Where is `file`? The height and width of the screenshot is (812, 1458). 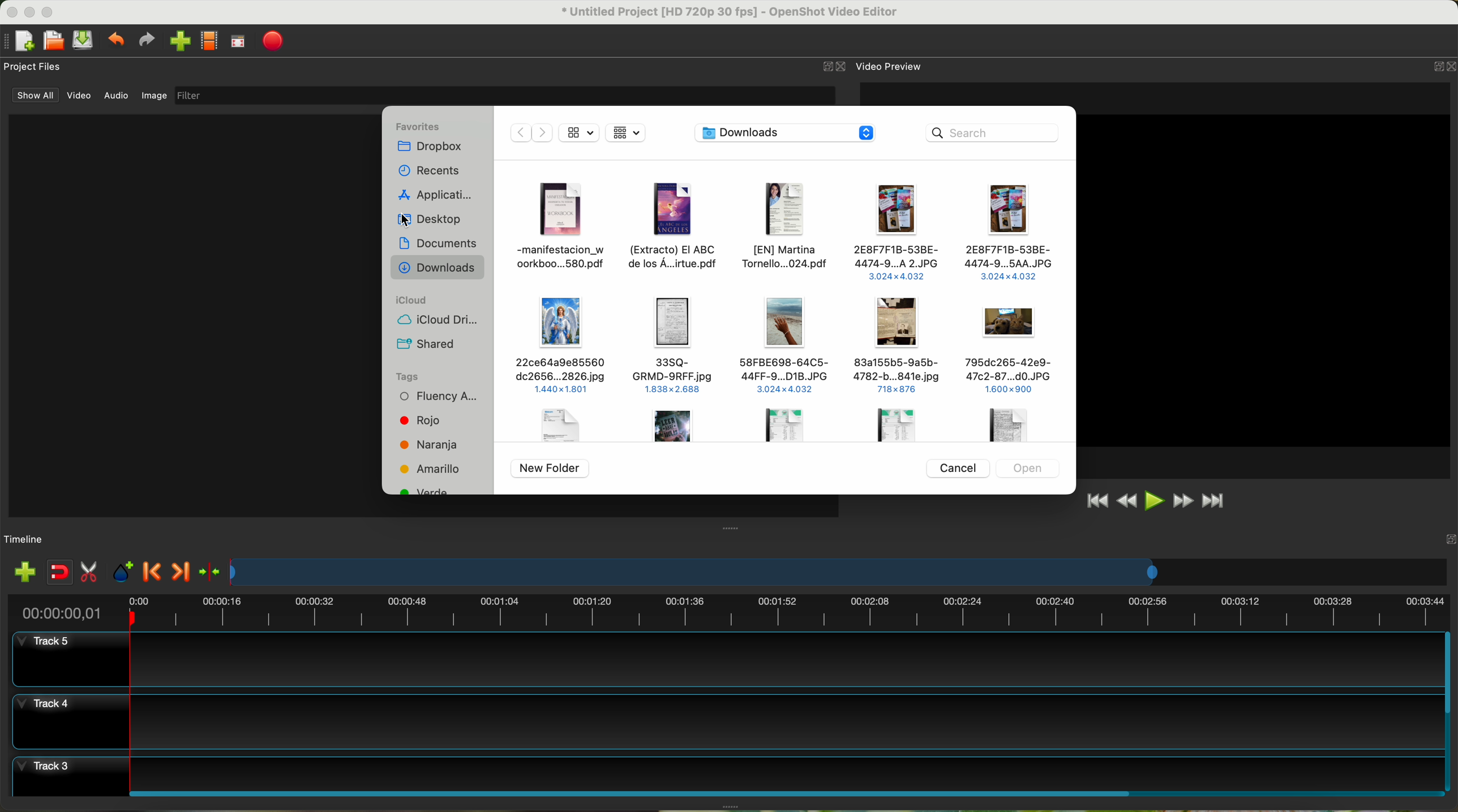 file is located at coordinates (677, 425).